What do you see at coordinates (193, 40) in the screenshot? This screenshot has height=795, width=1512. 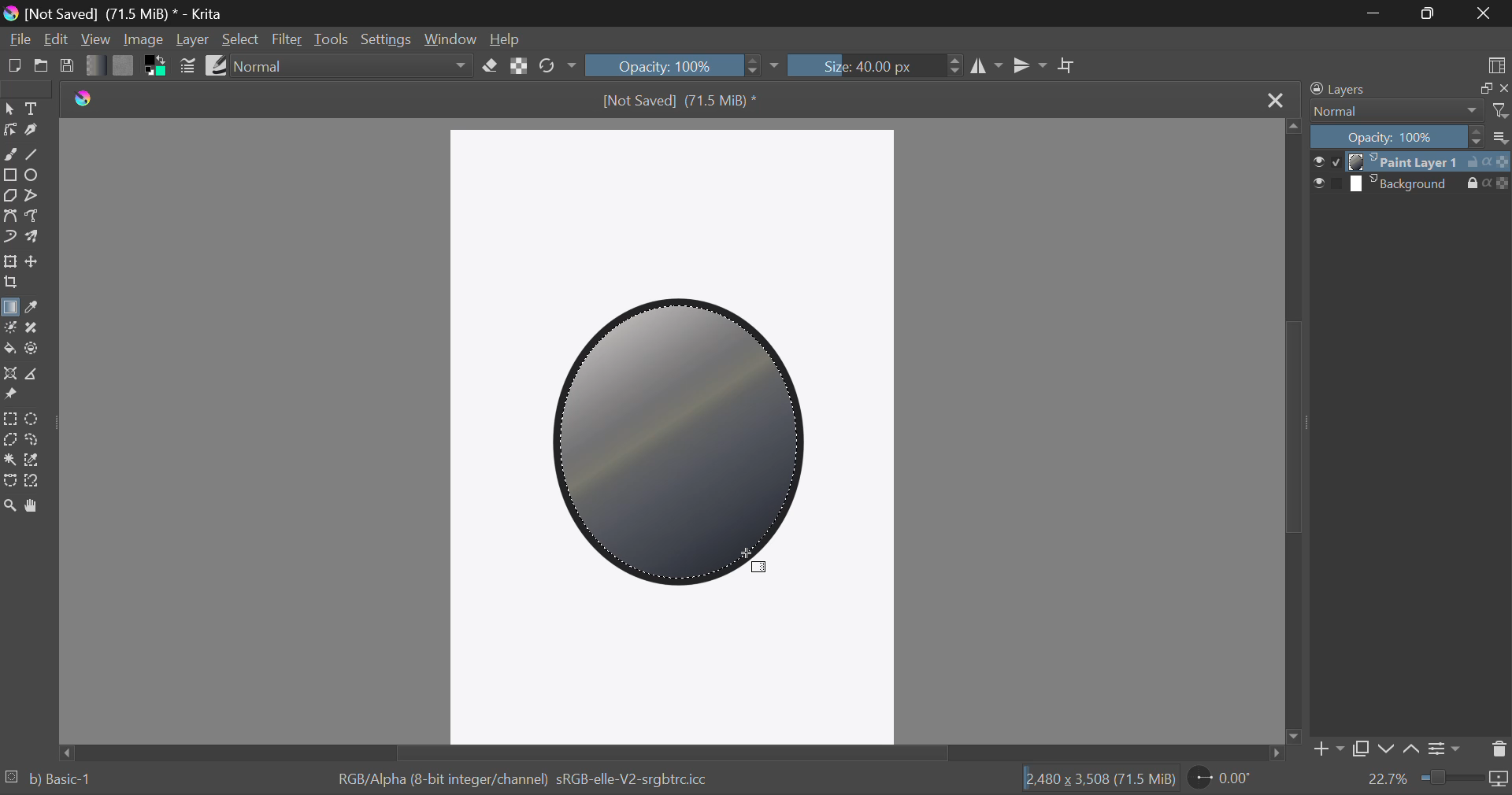 I see `Layer` at bounding box center [193, 40].